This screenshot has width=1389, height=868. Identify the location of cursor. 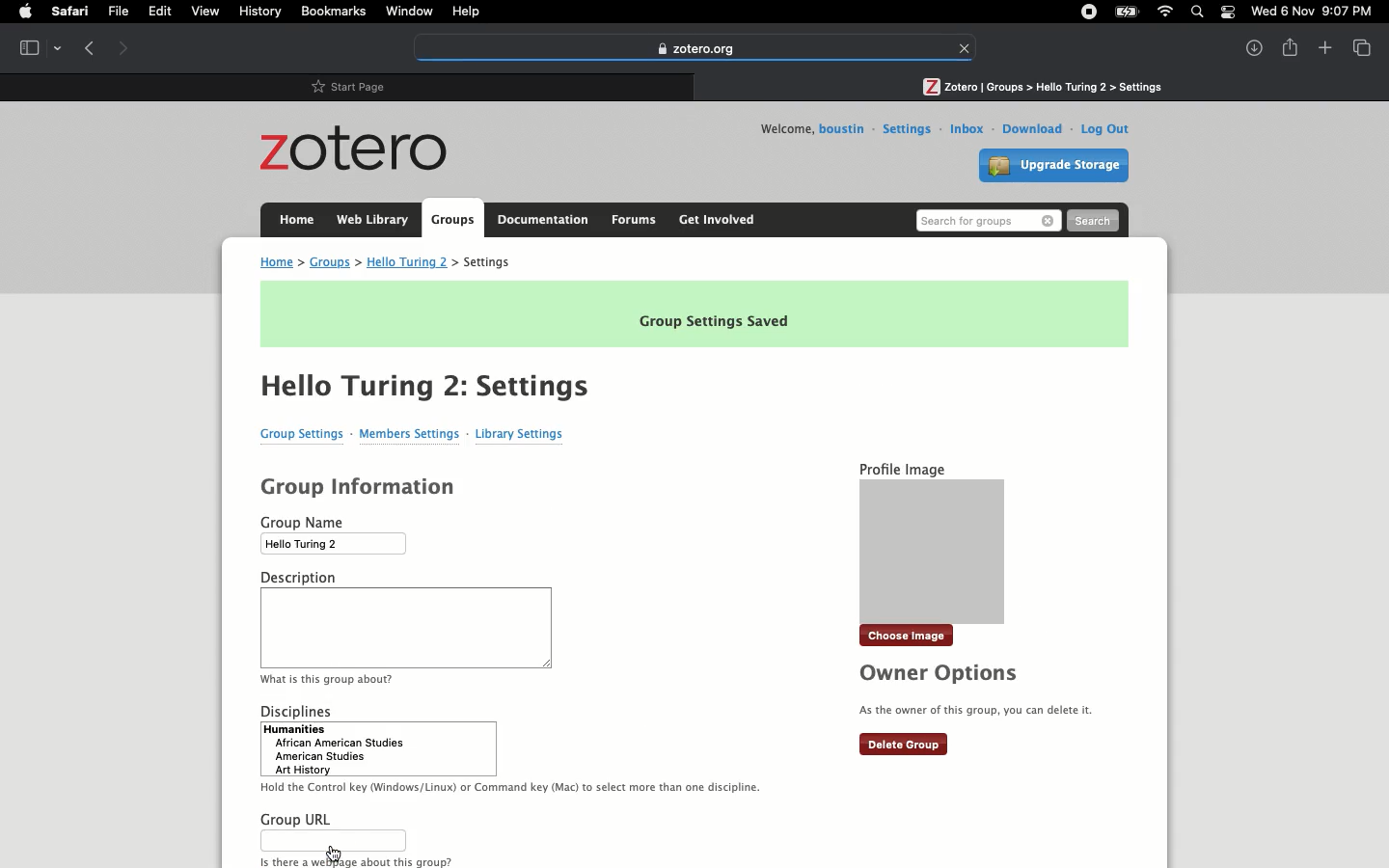
(335, 853).